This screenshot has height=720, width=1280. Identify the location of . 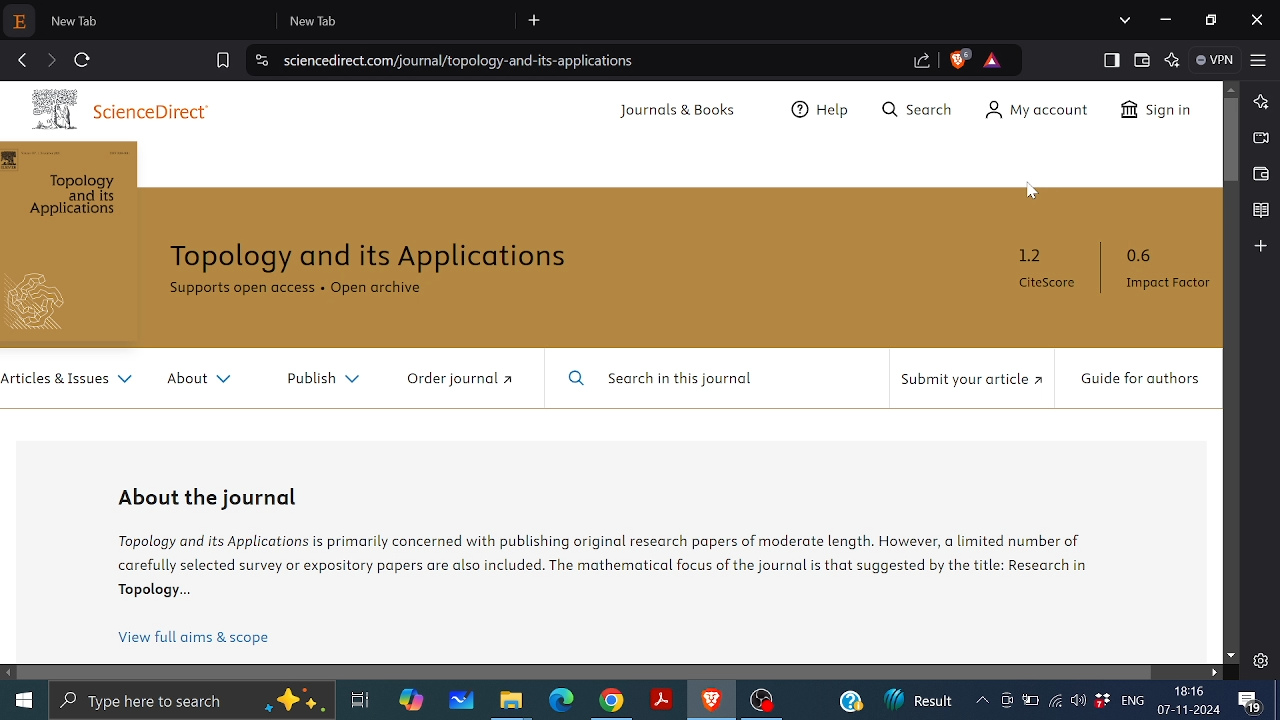
(1057, 702).